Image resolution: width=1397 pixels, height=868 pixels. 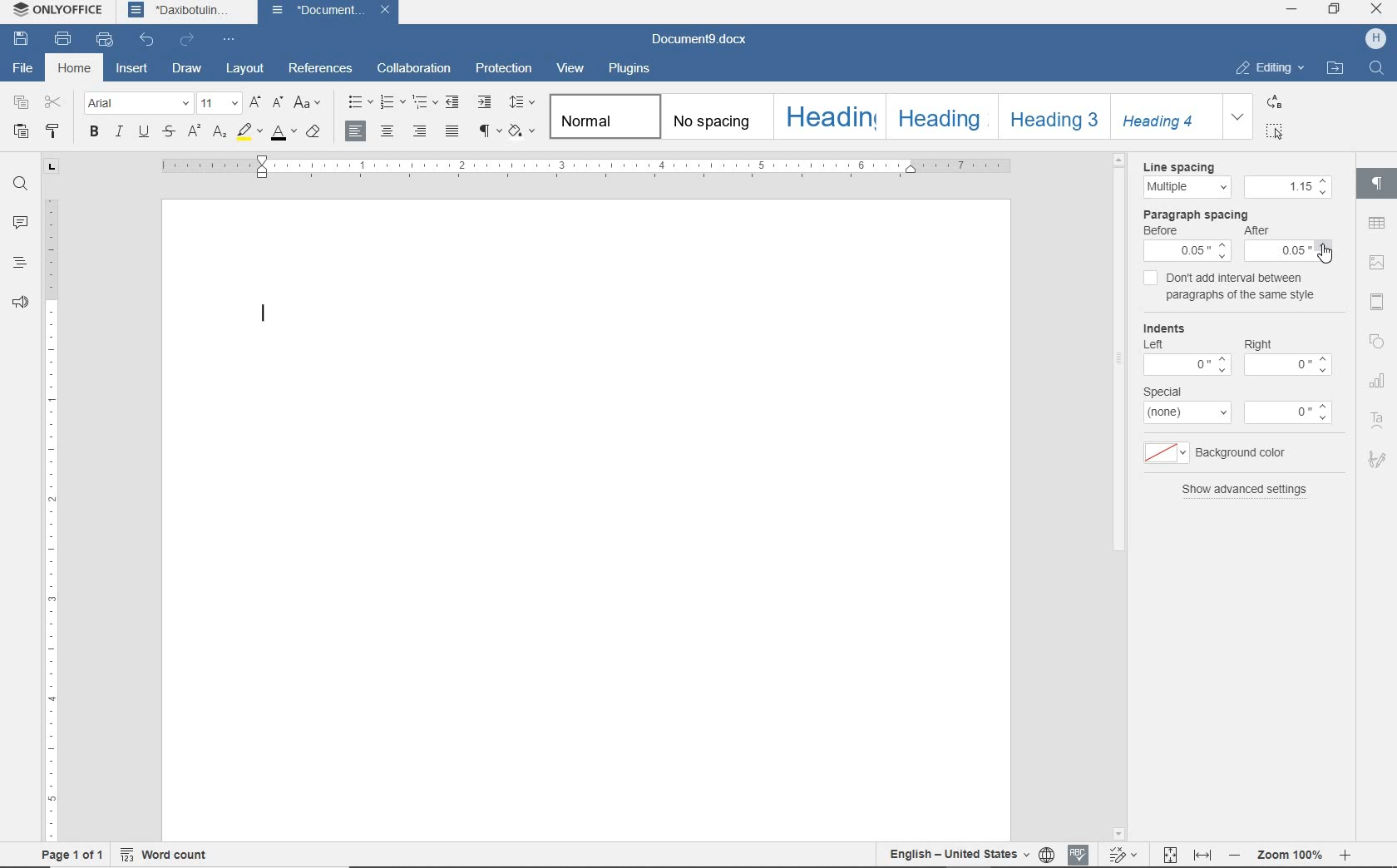 I want to click on font, so click(x=136, y=104).